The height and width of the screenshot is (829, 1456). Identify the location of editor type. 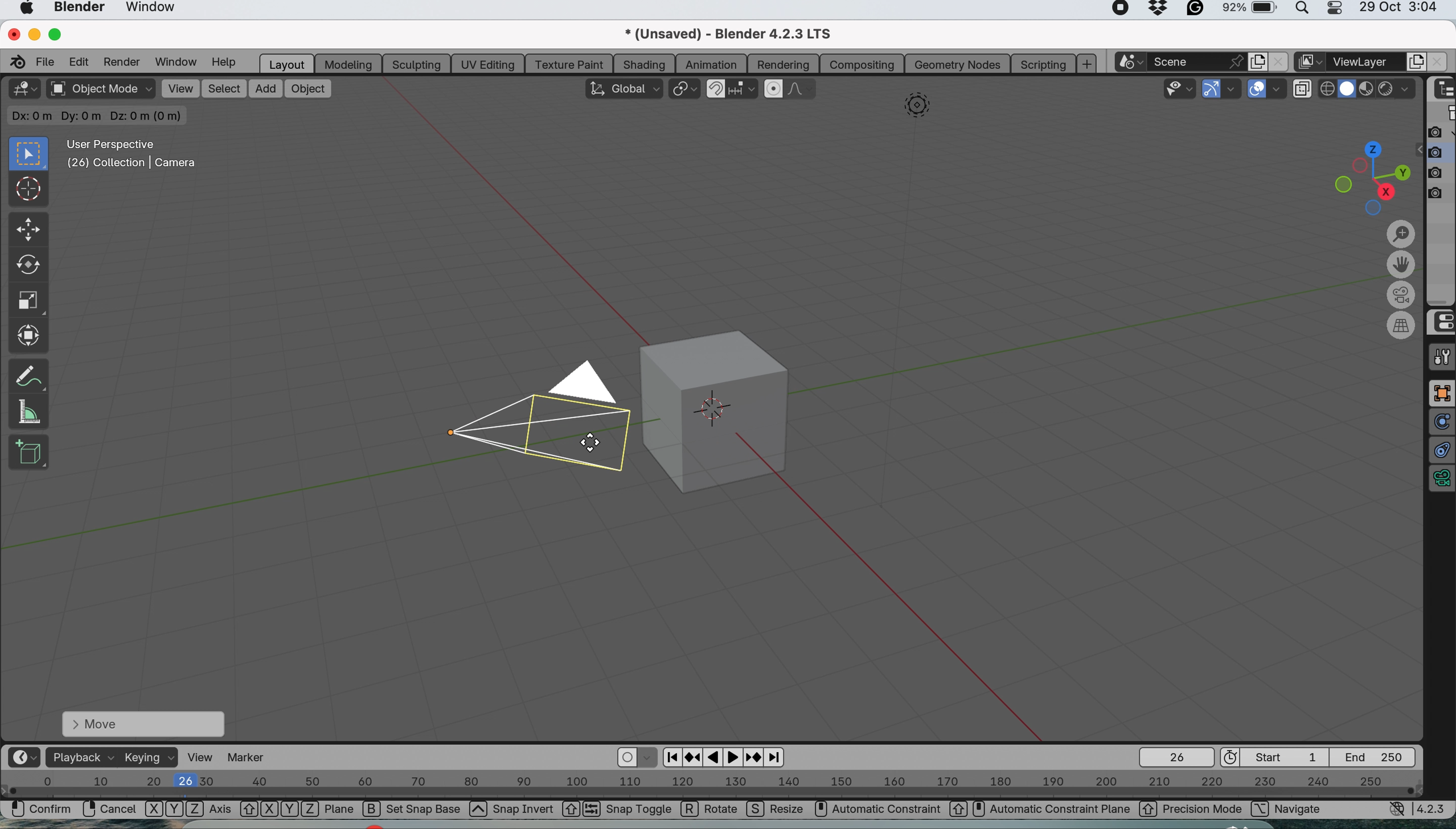
(23, 757).